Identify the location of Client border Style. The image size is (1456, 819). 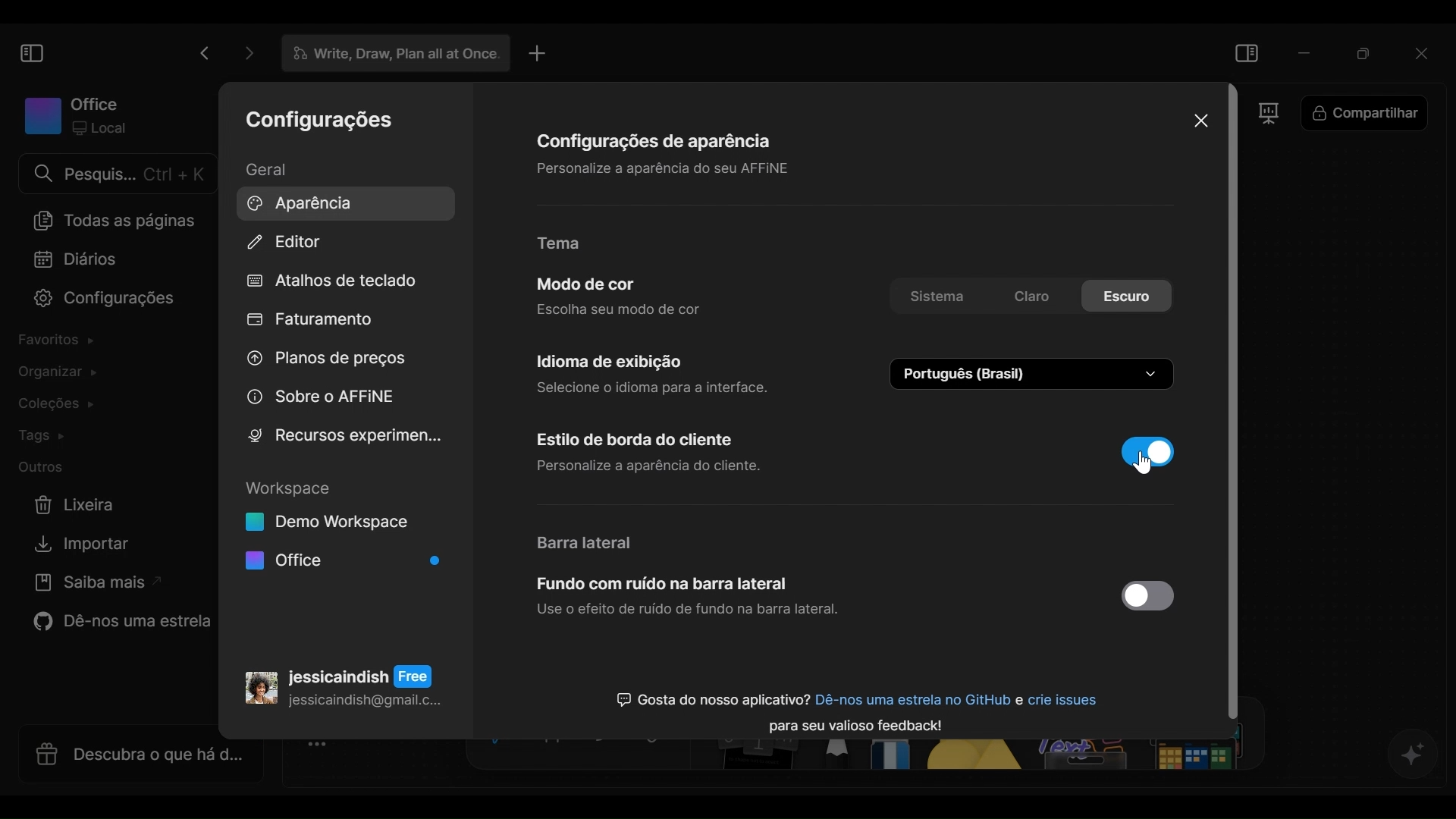
(666, 453).